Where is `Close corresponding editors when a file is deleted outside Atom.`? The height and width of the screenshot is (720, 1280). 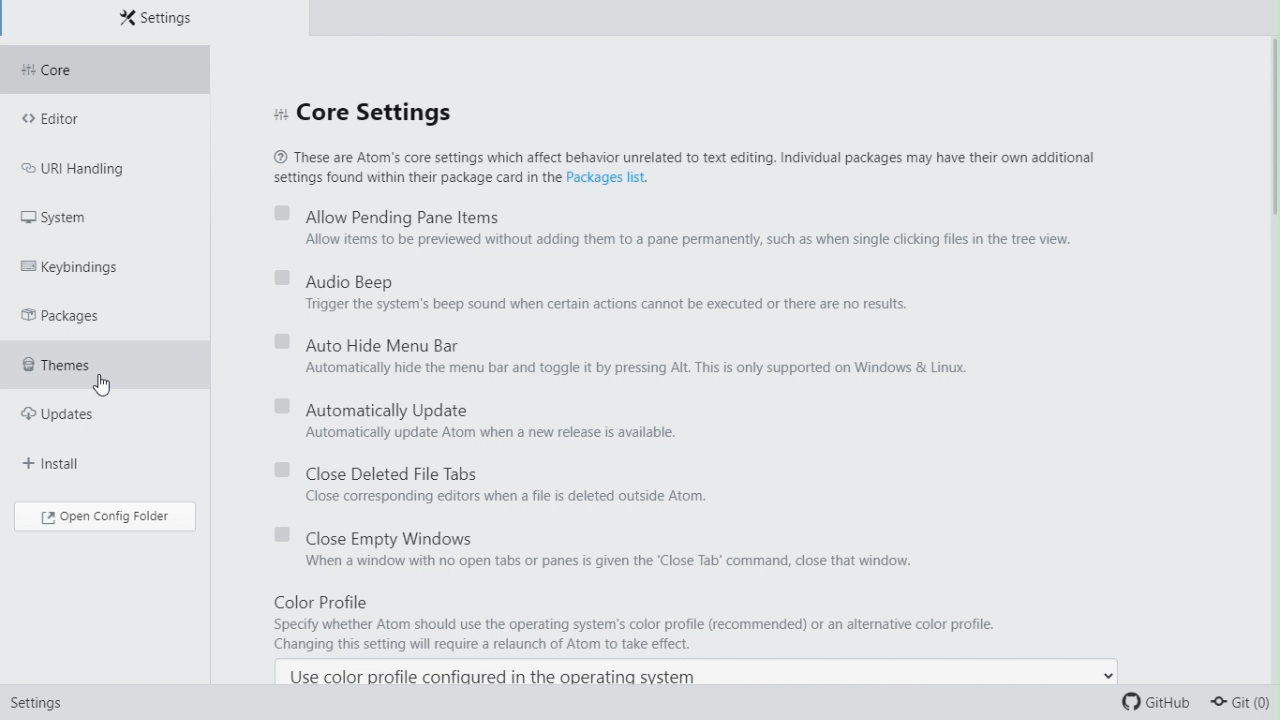
Close corresponding editors when a file is deleted outside Atom. is located at coordinates (526, 496).